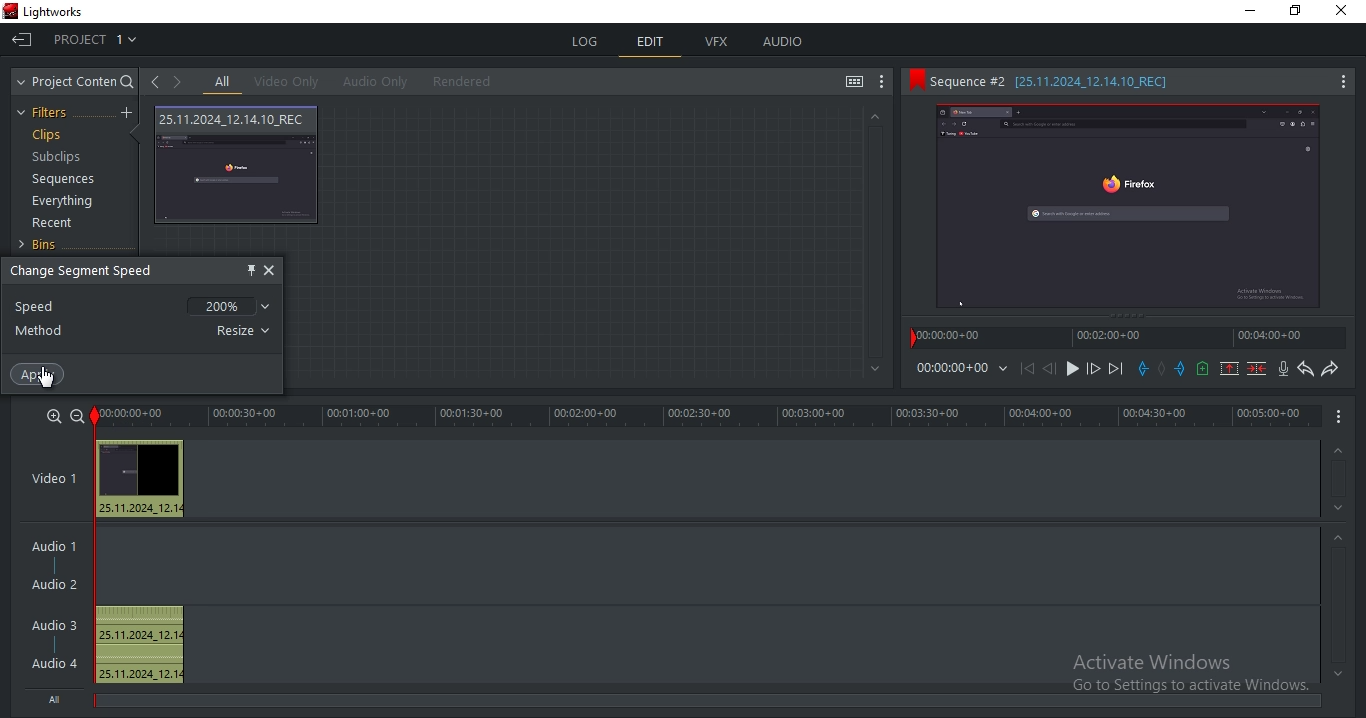 The width and height of the screenshot is (1366, 718). I want to click on bins, so click(46, 245).